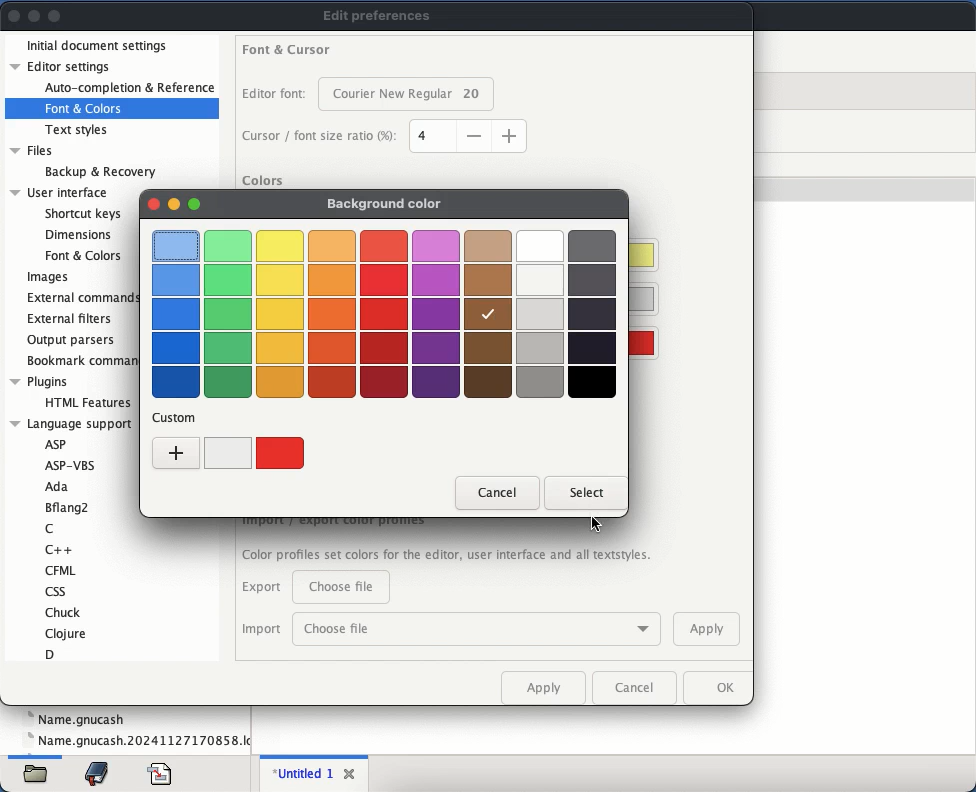 The image size is (976, 792). I want to click on output parsers, so click(74, 341).